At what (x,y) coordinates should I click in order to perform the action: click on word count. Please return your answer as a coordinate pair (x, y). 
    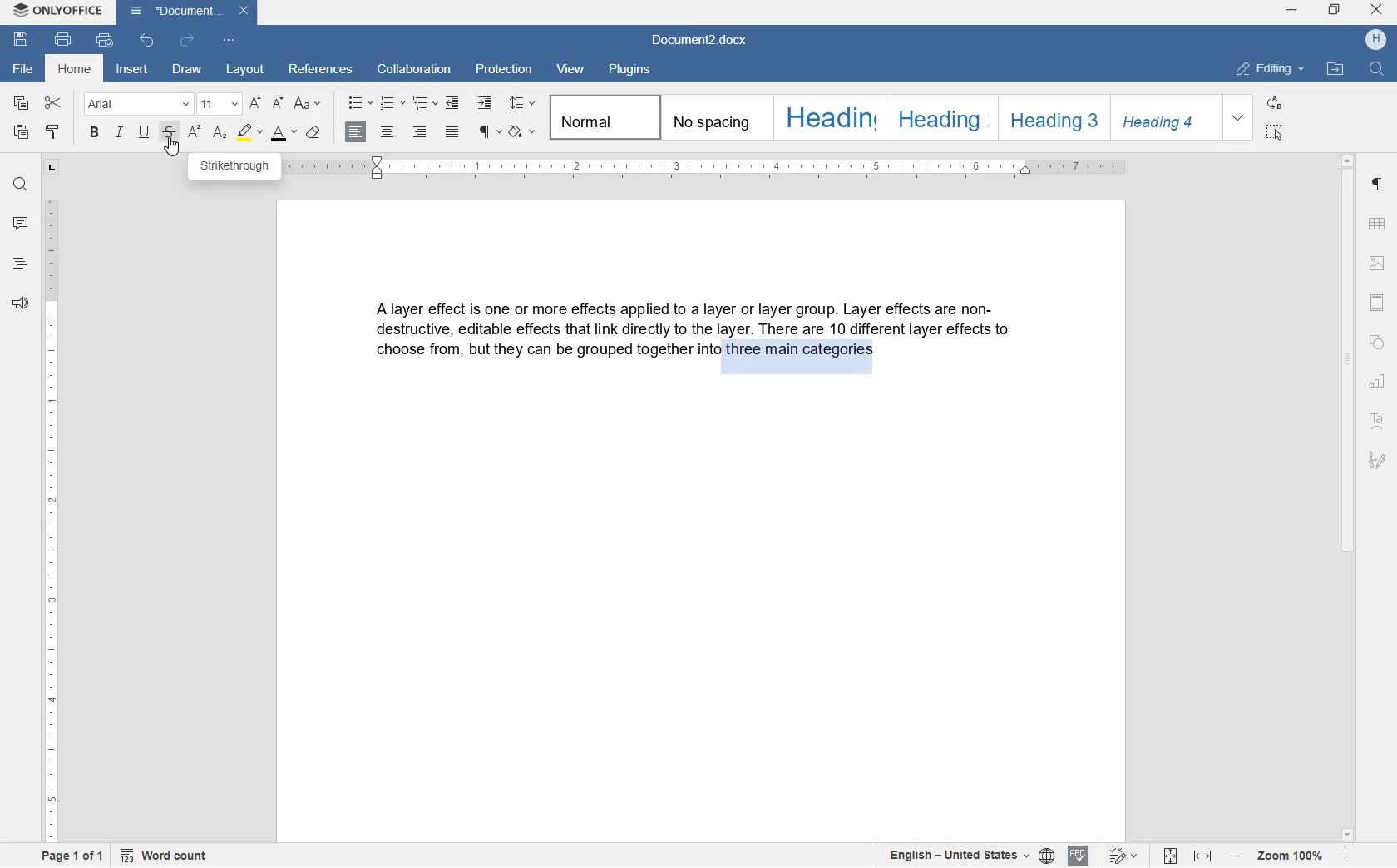
    Looking at the image, I should click on (165, 856).